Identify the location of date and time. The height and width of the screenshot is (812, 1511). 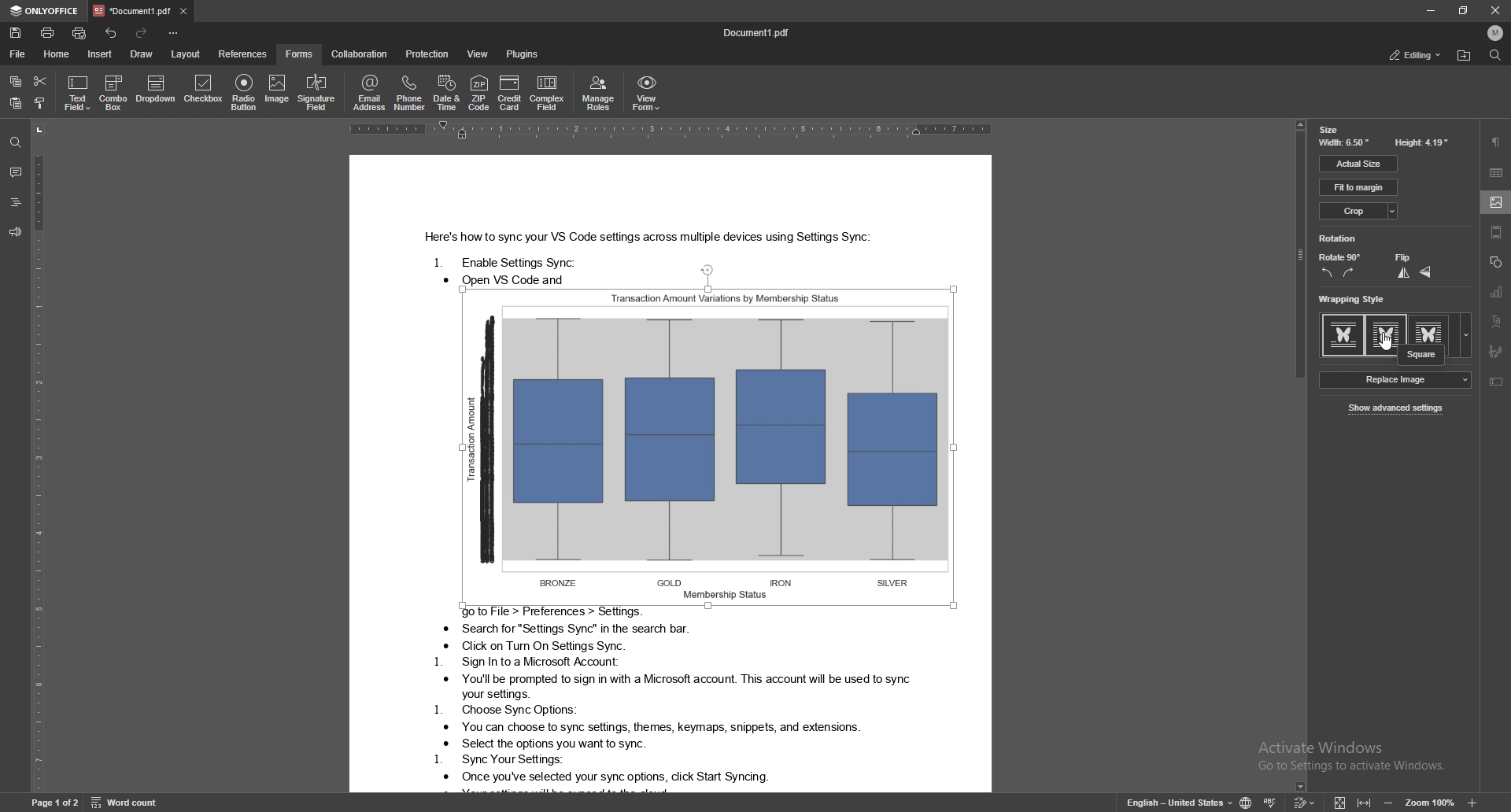
(446, 93).